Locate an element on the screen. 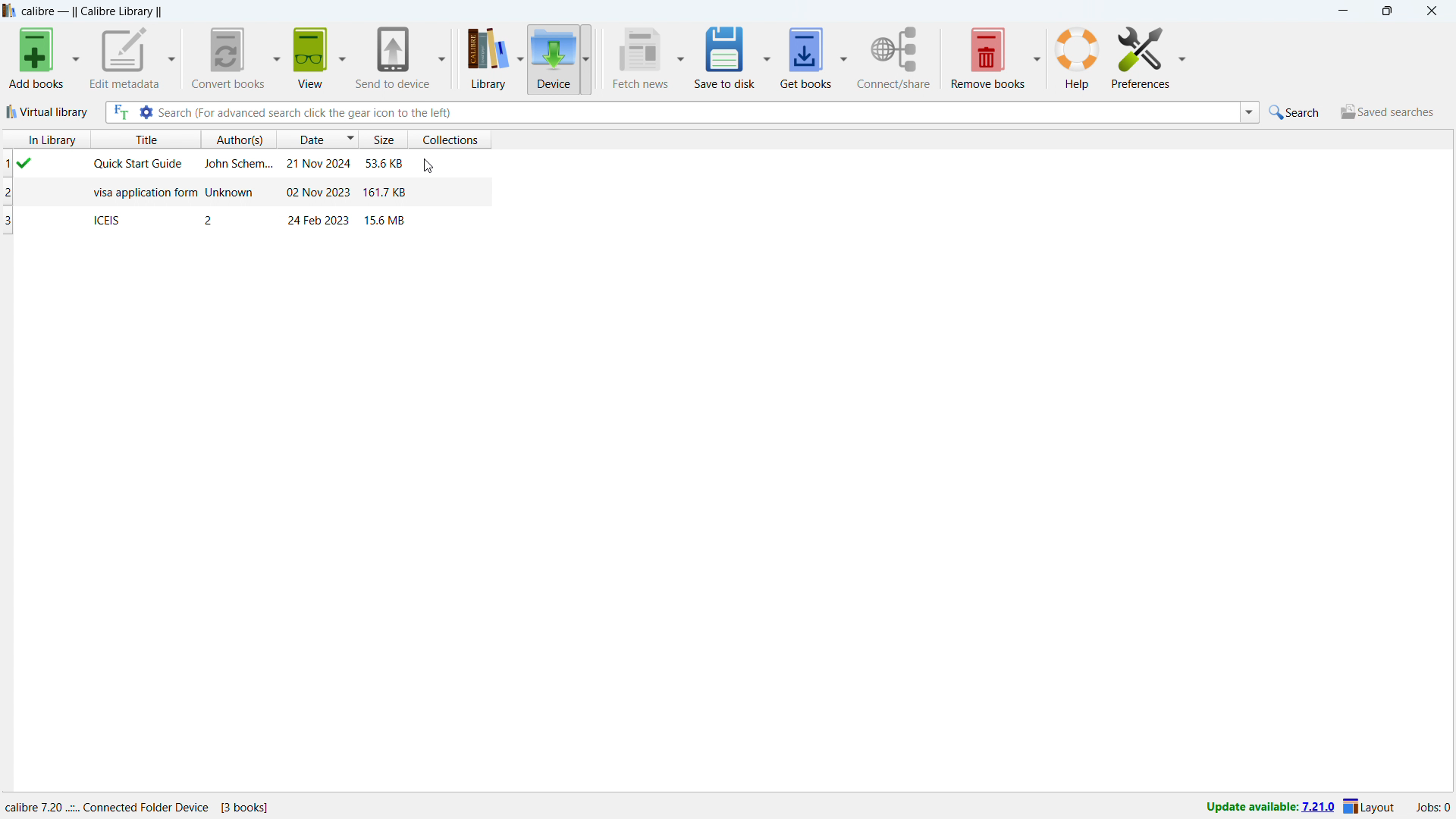 This screenshot has height=819, width=1456. help is located at coordinates (1077, 57).